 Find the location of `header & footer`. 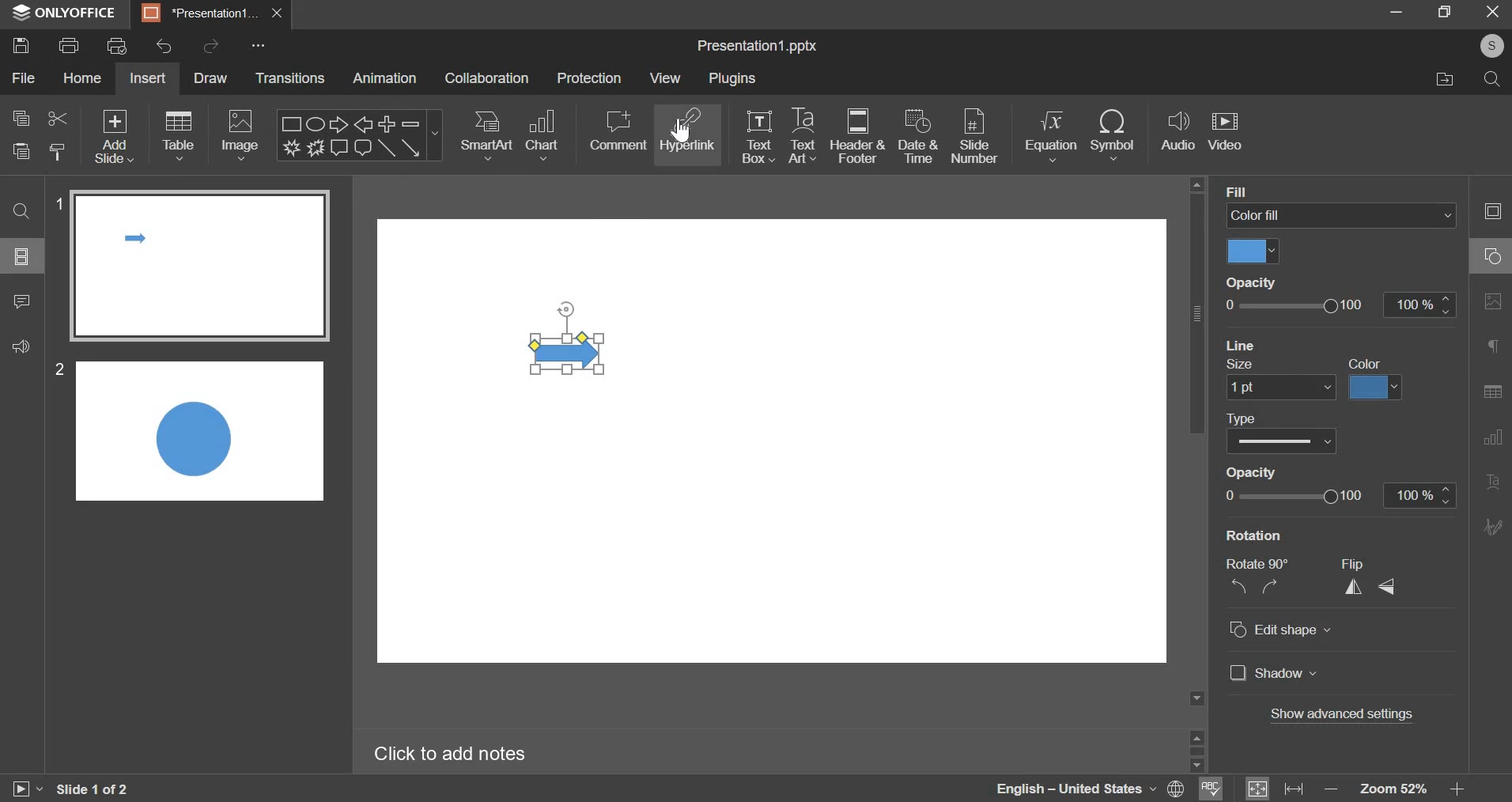

header & footer is located at coordinates (857, 134).